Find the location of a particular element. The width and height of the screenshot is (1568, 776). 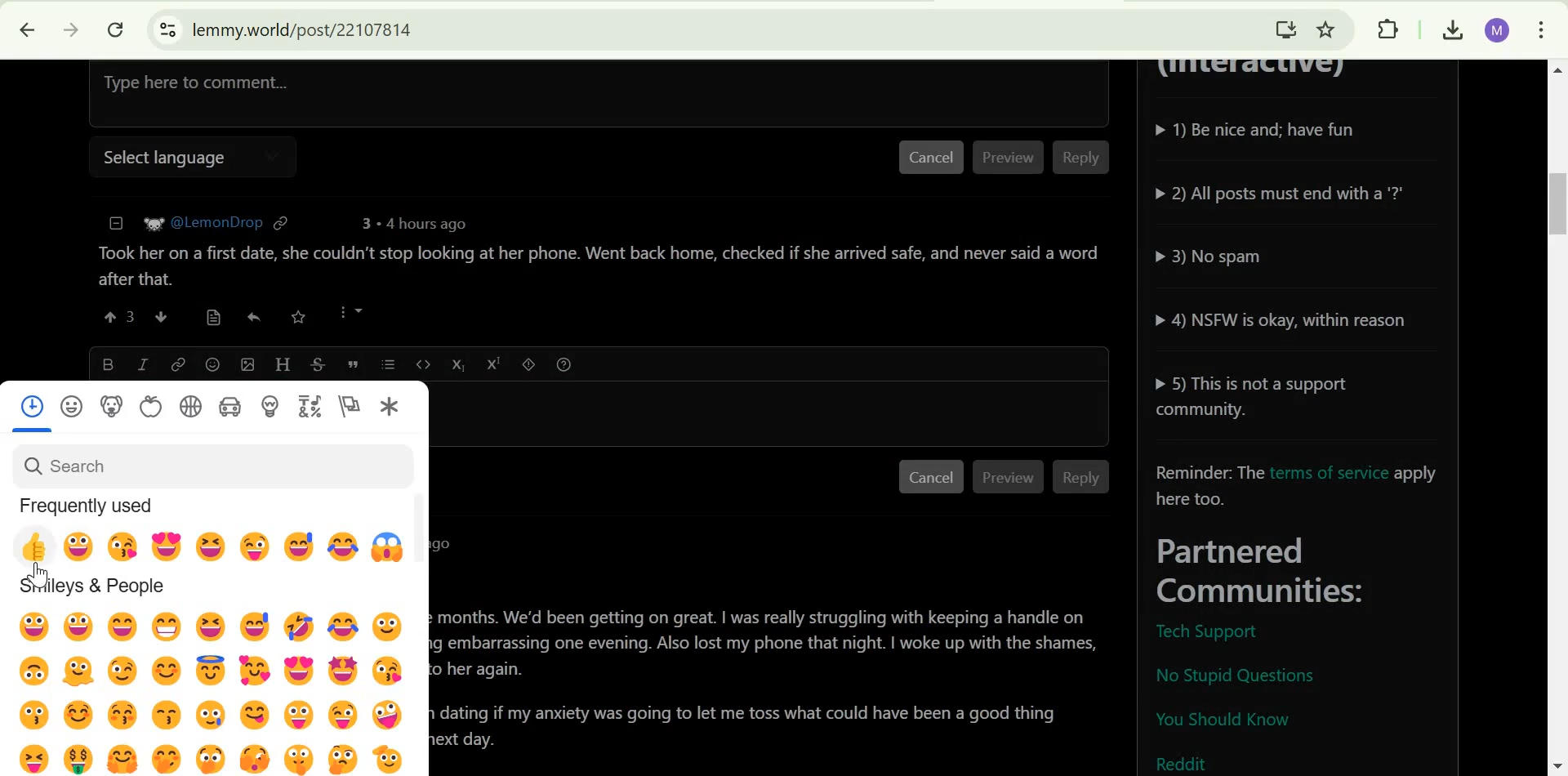

No Stupid Question is located at coordinates (1242, 674).